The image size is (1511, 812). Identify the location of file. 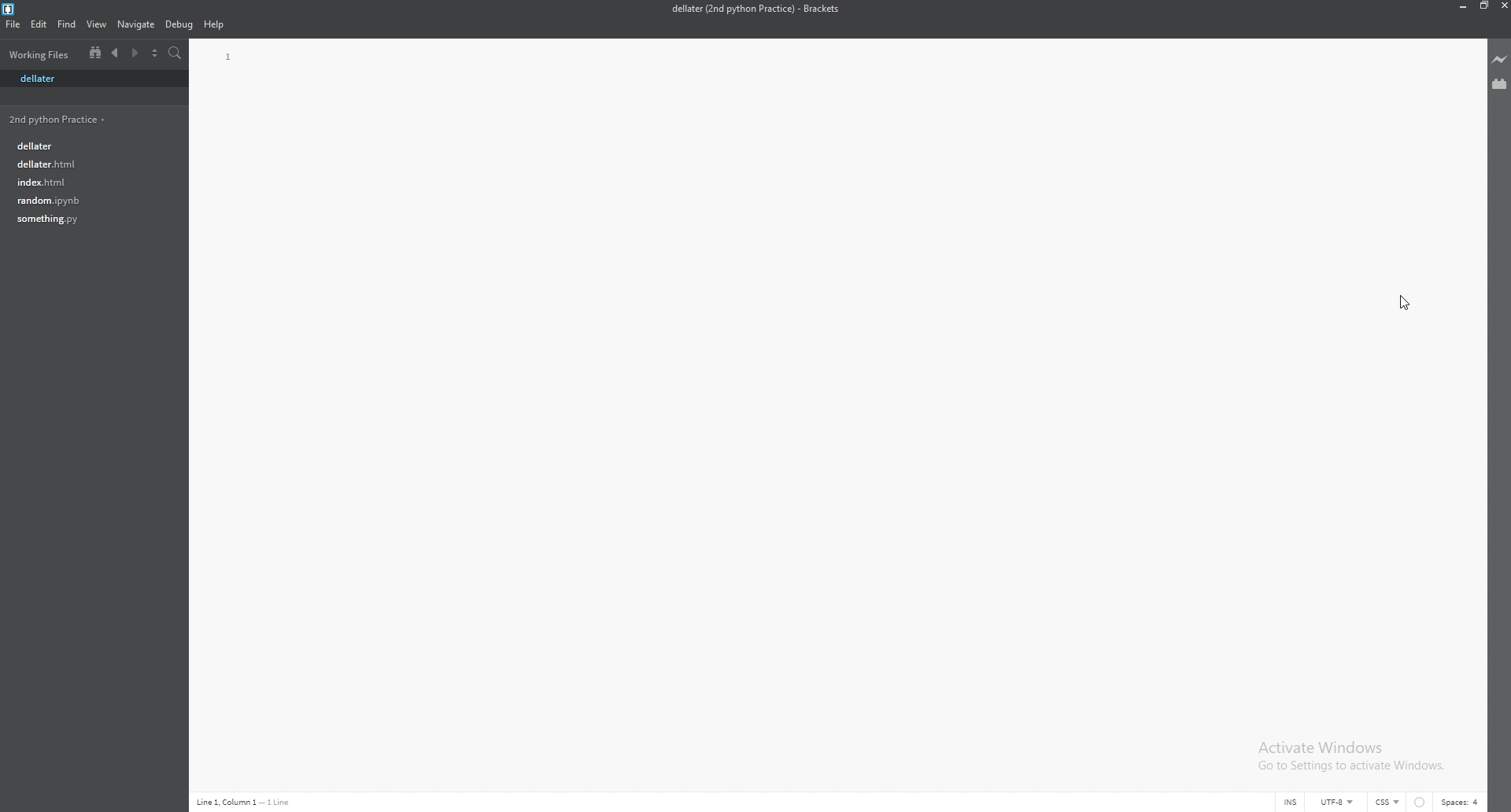
(87, 219).